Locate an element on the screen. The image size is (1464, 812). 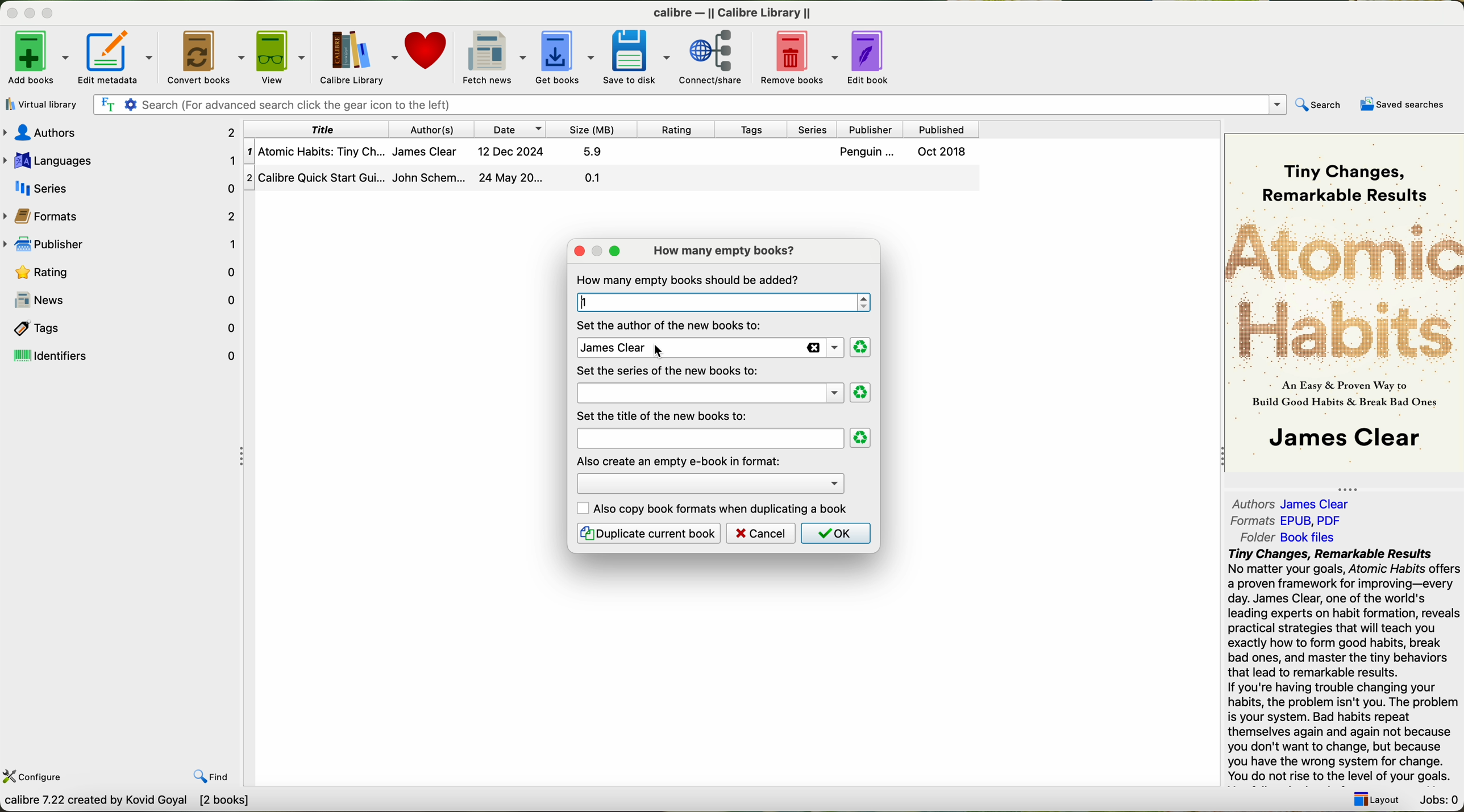
publisher is located at coordinates (121, 242).